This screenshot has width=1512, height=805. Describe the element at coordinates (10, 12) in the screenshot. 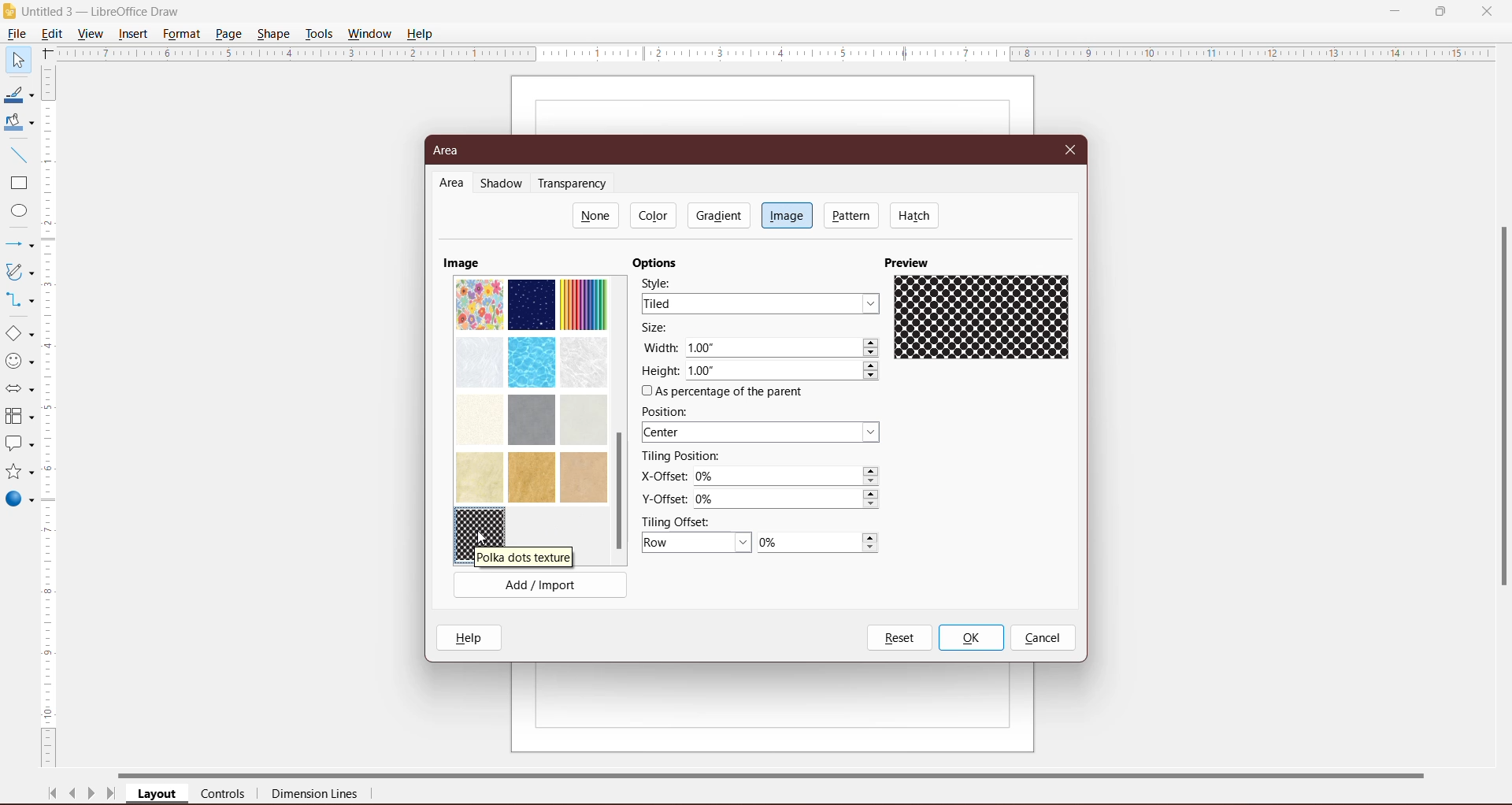

I see `Application Logo` at that location.